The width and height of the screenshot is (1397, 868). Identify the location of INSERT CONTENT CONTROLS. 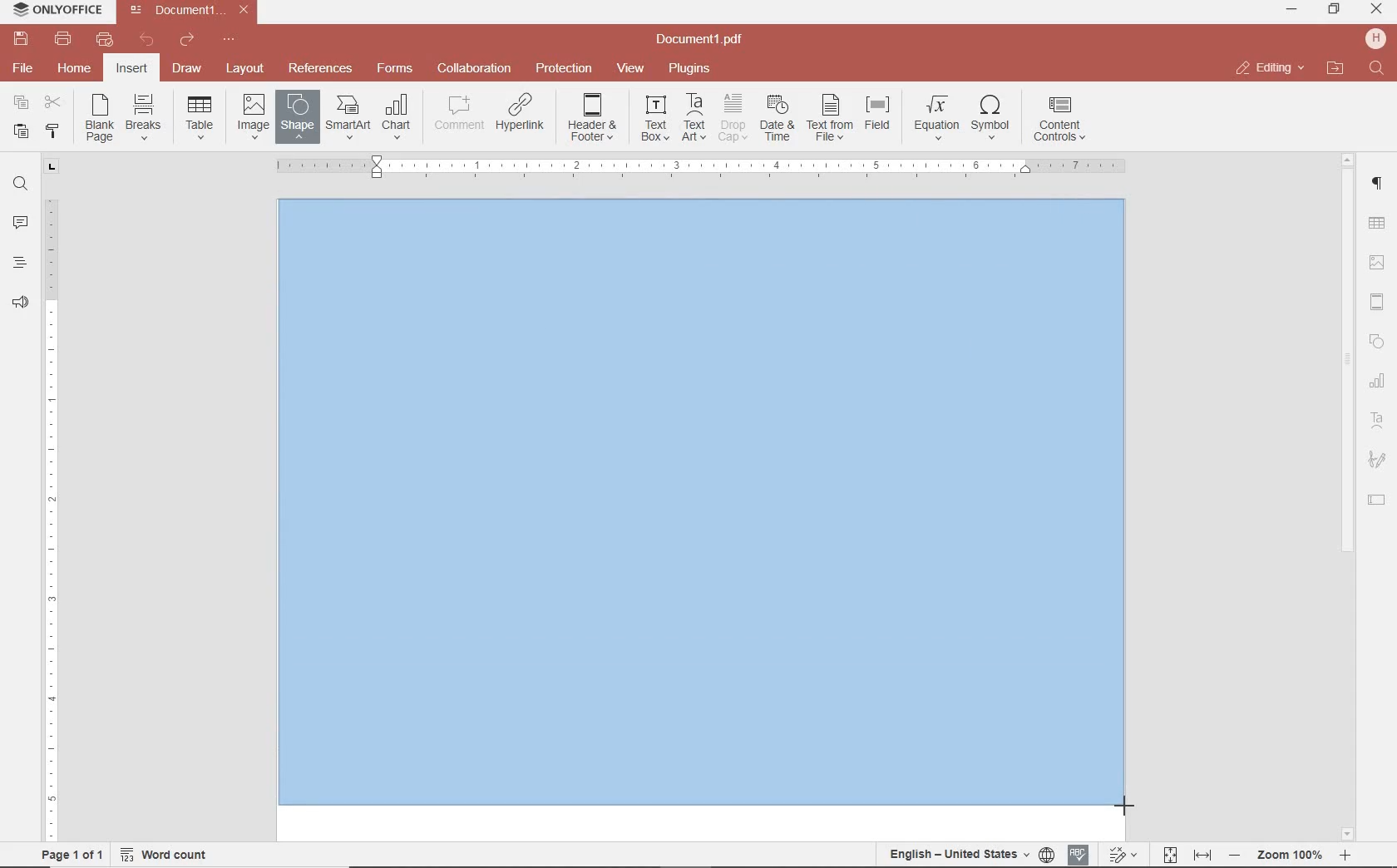
(1059, 120).